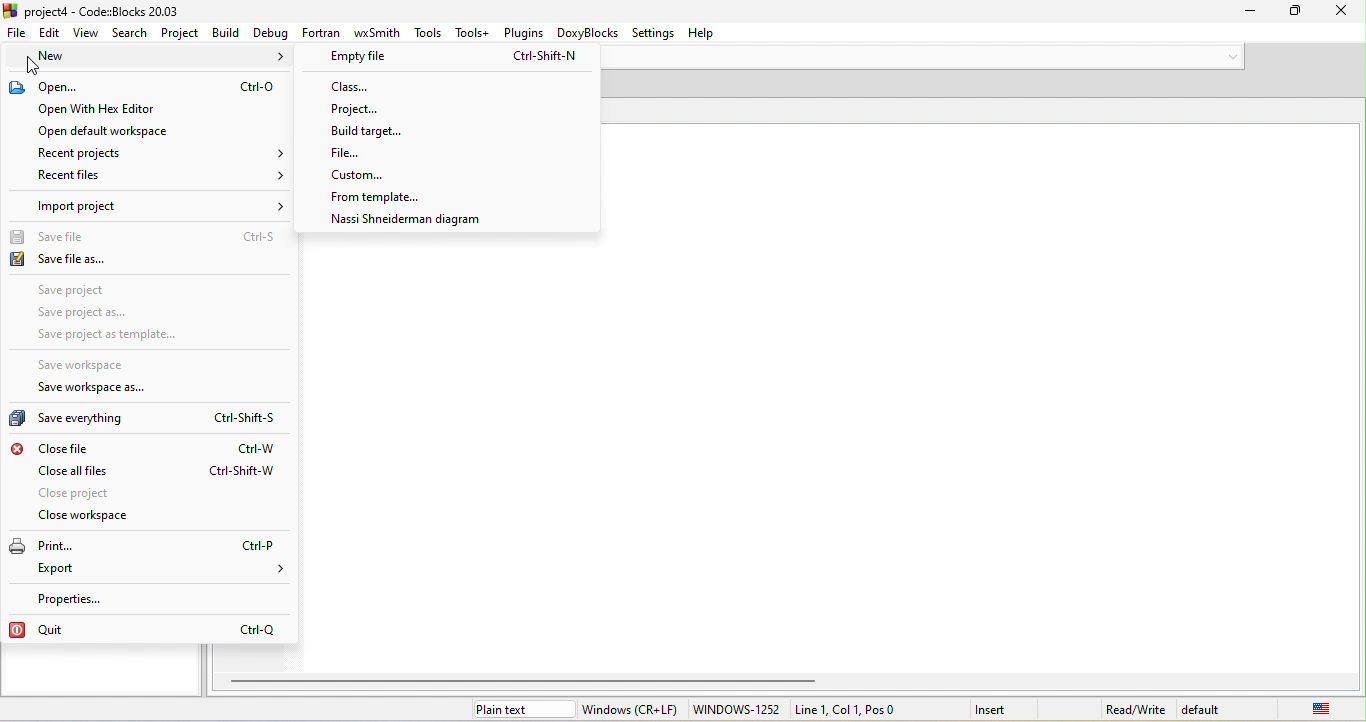 This screenshot has height=722, width=1366. What do you see at coordinates (228, 32) in the screenshot?
I see `build` at bounding box center [228, 32].